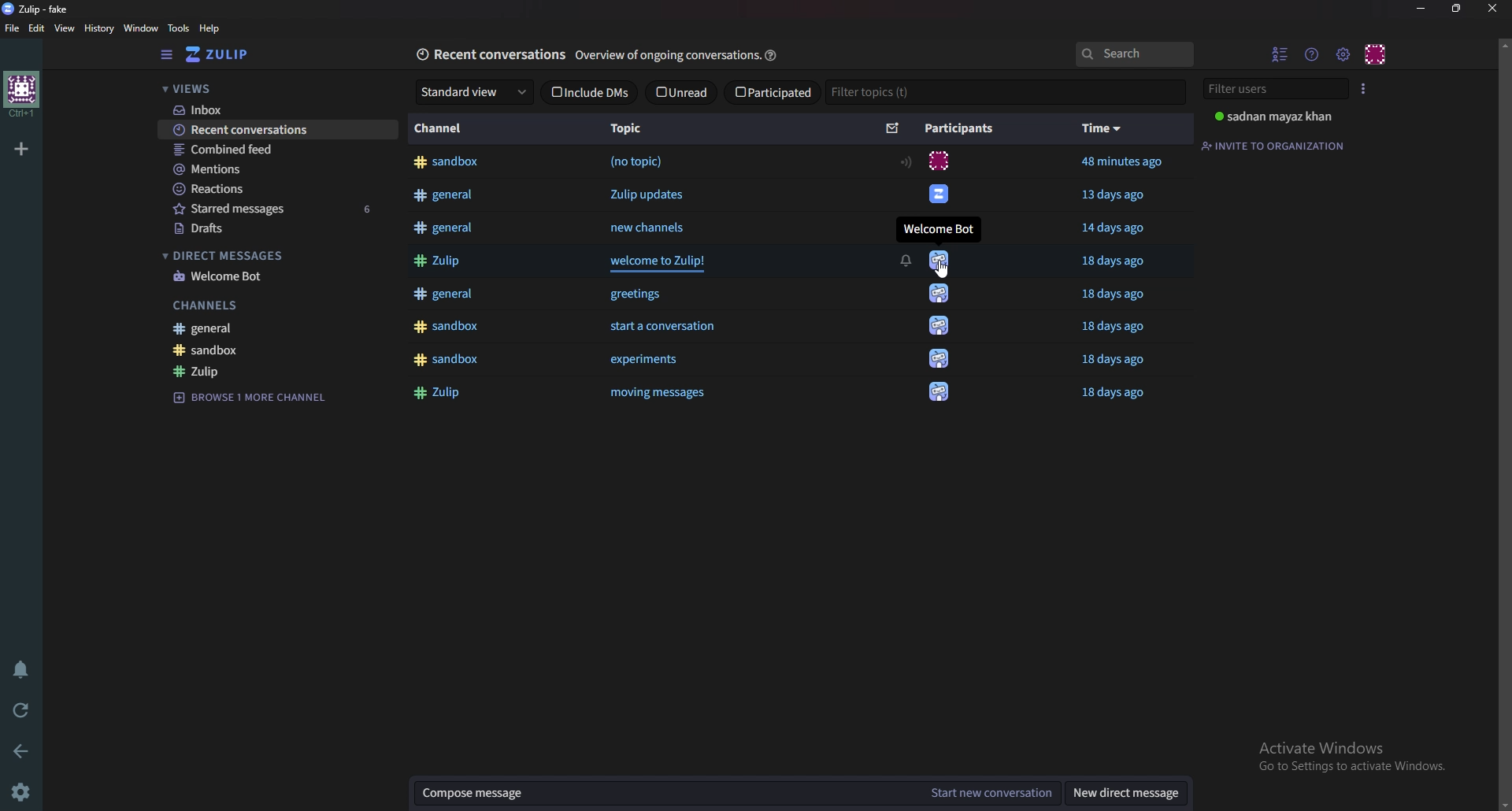 Image resolution: width=1512 pixels, height=811 pixels. I want to click on Home view, so click(226, 55).